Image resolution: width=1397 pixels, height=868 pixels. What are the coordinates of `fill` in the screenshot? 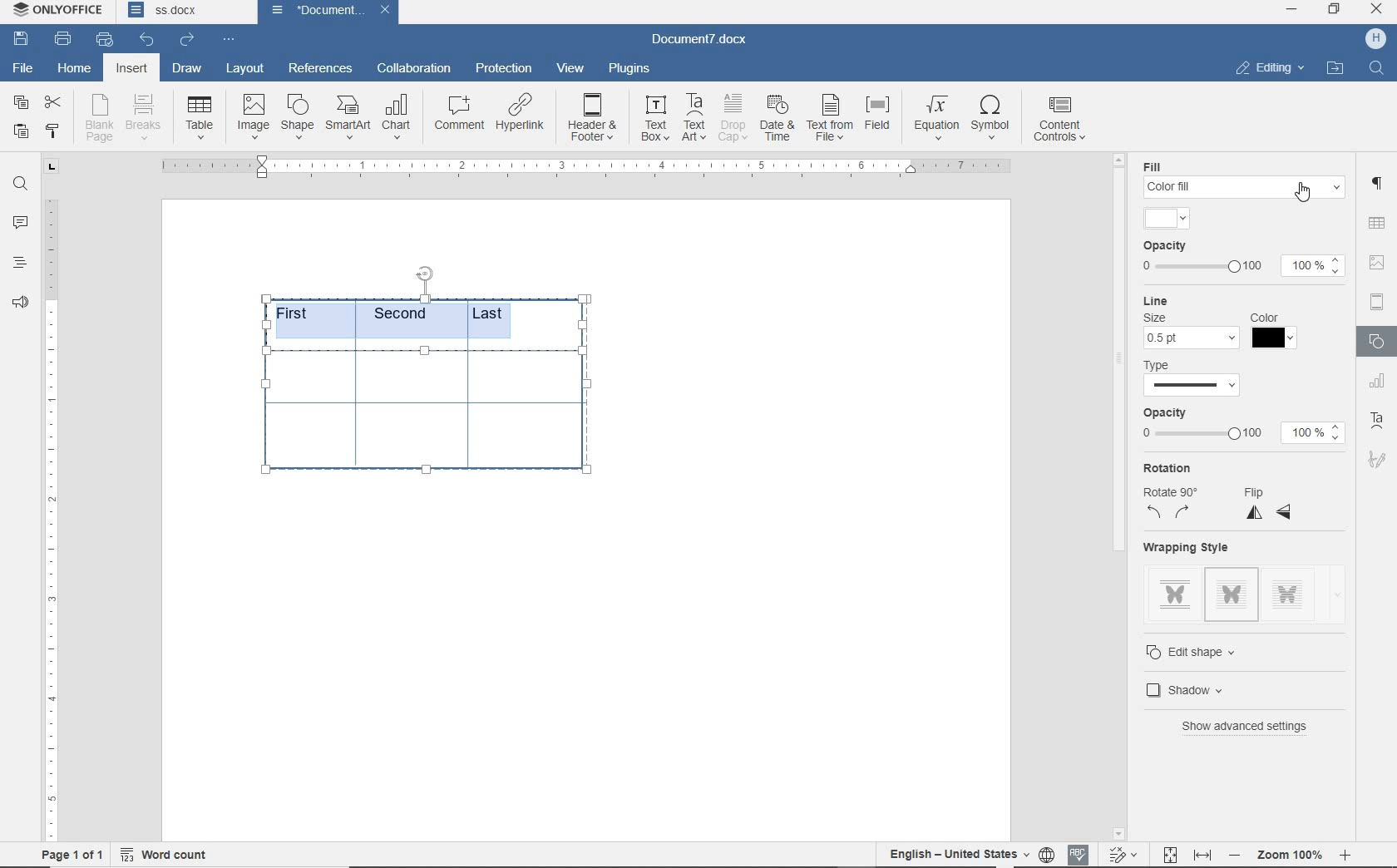 It's located at (1161, 166).